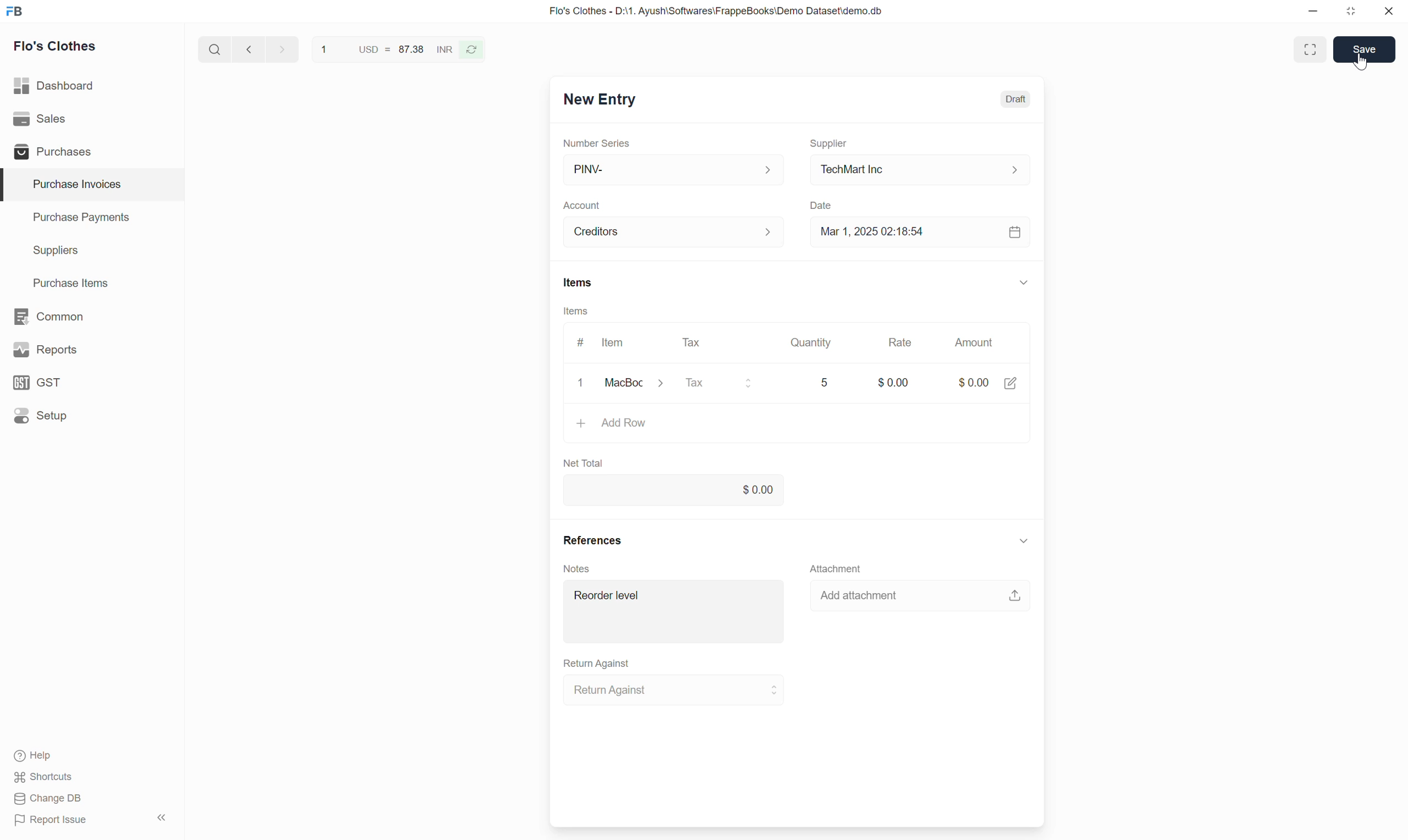 The width and height of the screenshot is (1408, 840). Describe the element at coordinates (724, 384) in the screenshot. I see `Tax` at that location.